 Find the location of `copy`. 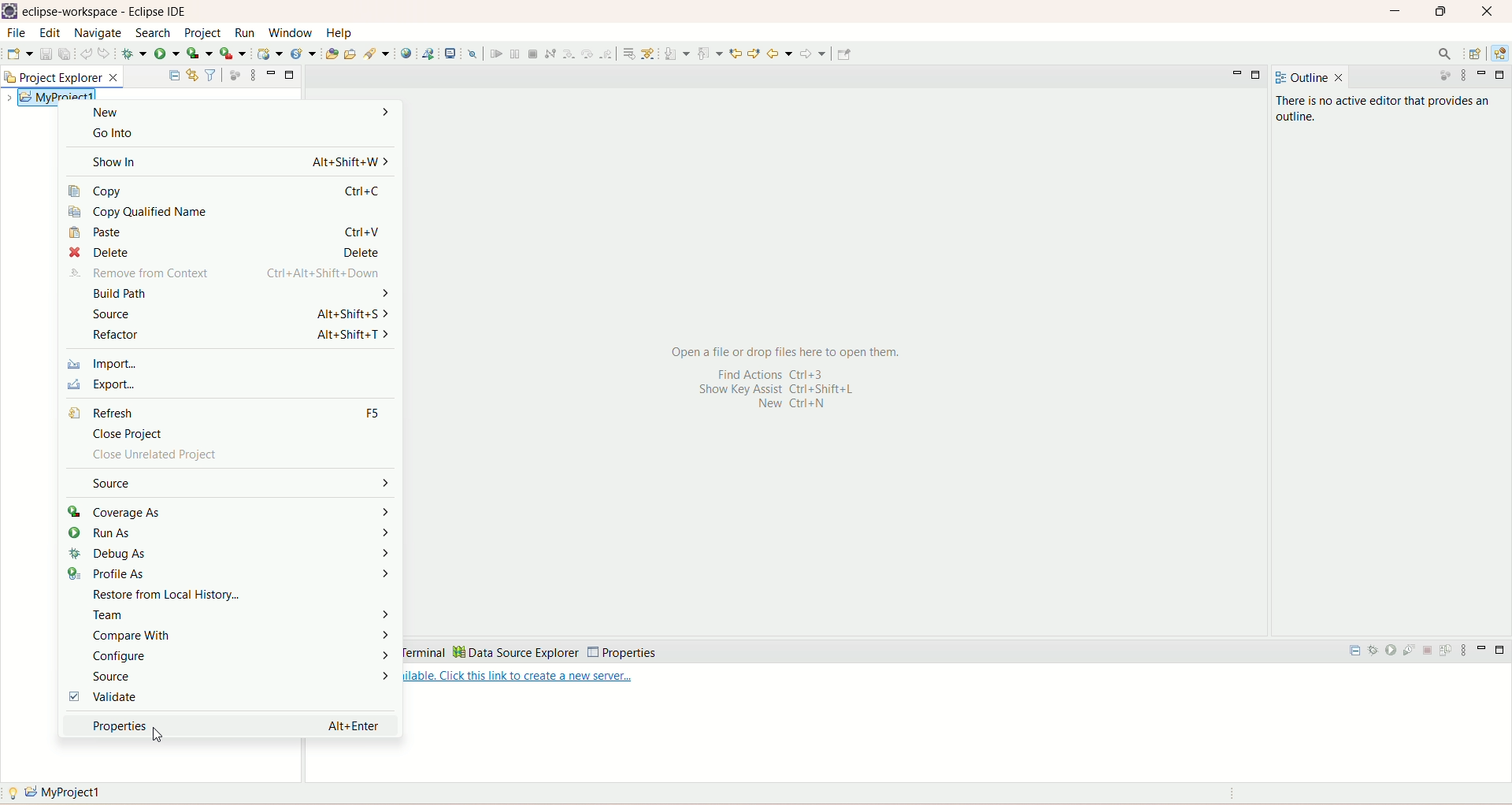

copy is located at coordinates (228, 189).